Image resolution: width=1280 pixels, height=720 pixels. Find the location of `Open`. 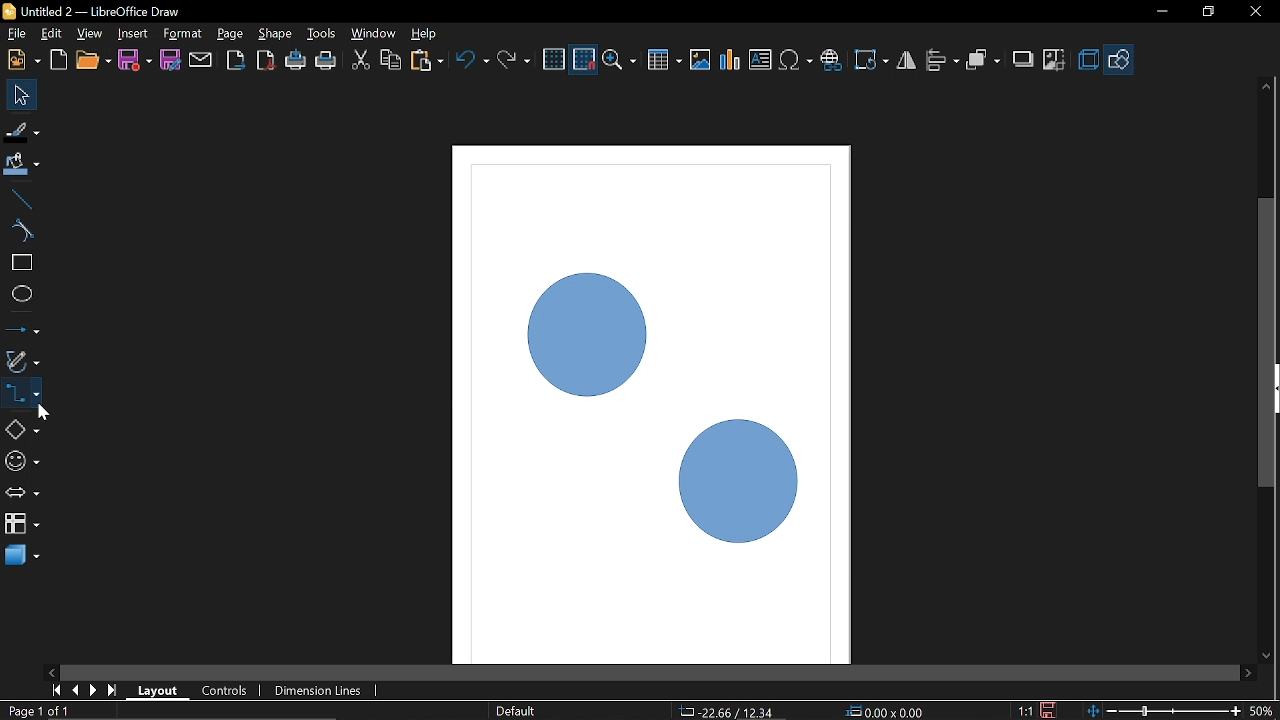

Open is located at coordinates (93, 60).